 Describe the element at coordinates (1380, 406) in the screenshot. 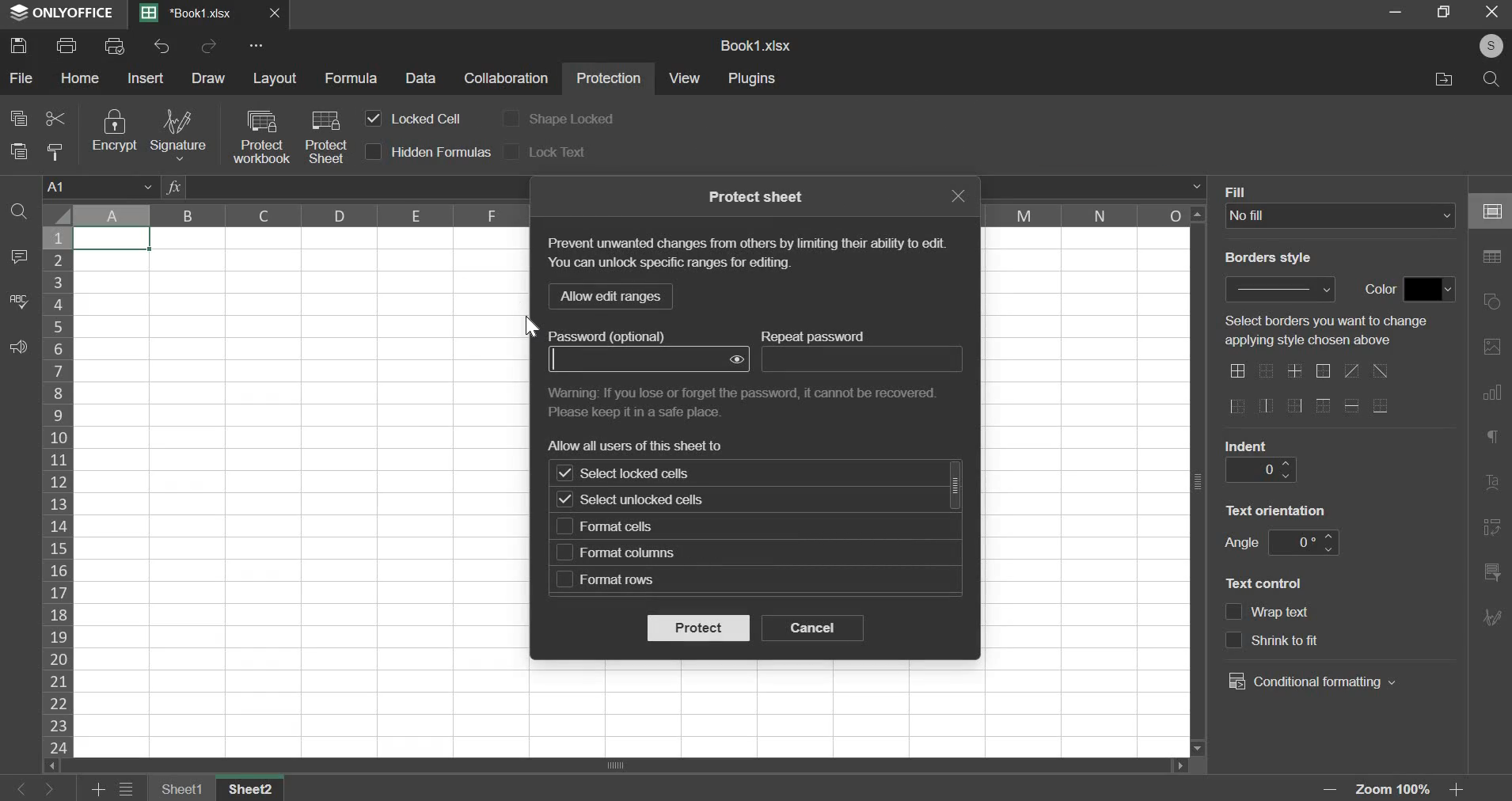

I see `border options` at that location.